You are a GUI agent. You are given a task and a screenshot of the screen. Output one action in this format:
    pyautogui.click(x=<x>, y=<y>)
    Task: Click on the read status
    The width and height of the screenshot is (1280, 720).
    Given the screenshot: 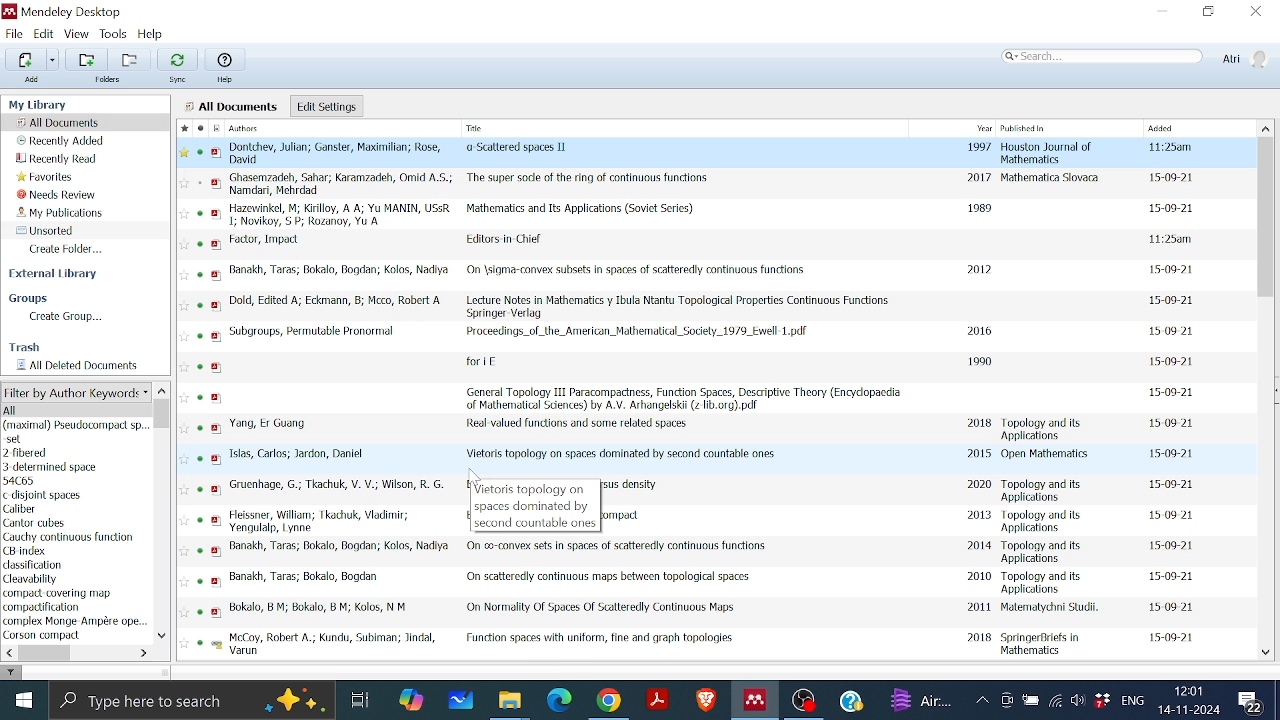 What is the action you would take?
    pyautogui.click(x=200, y=183)
    